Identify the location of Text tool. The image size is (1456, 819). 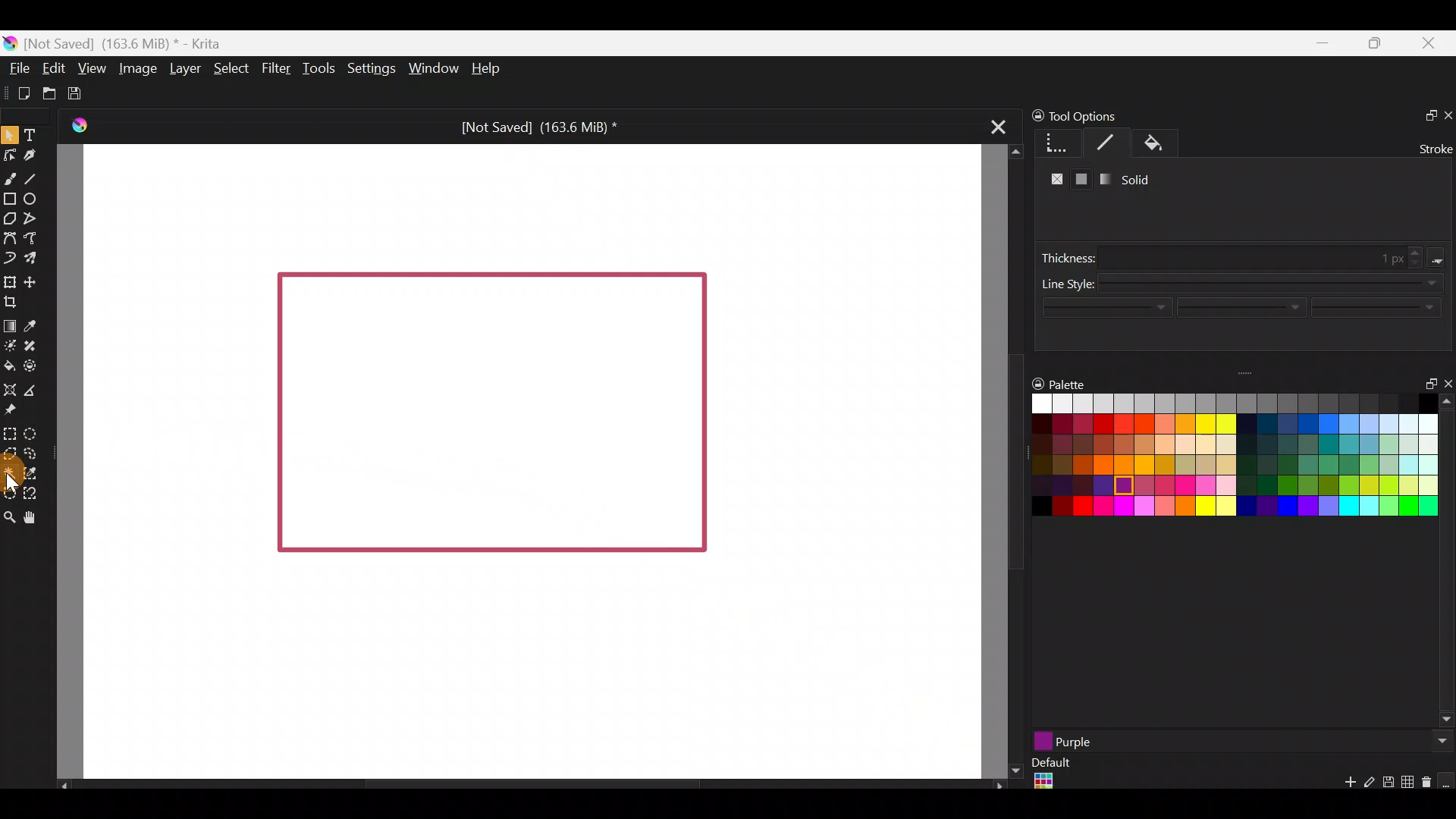
(31, 133).